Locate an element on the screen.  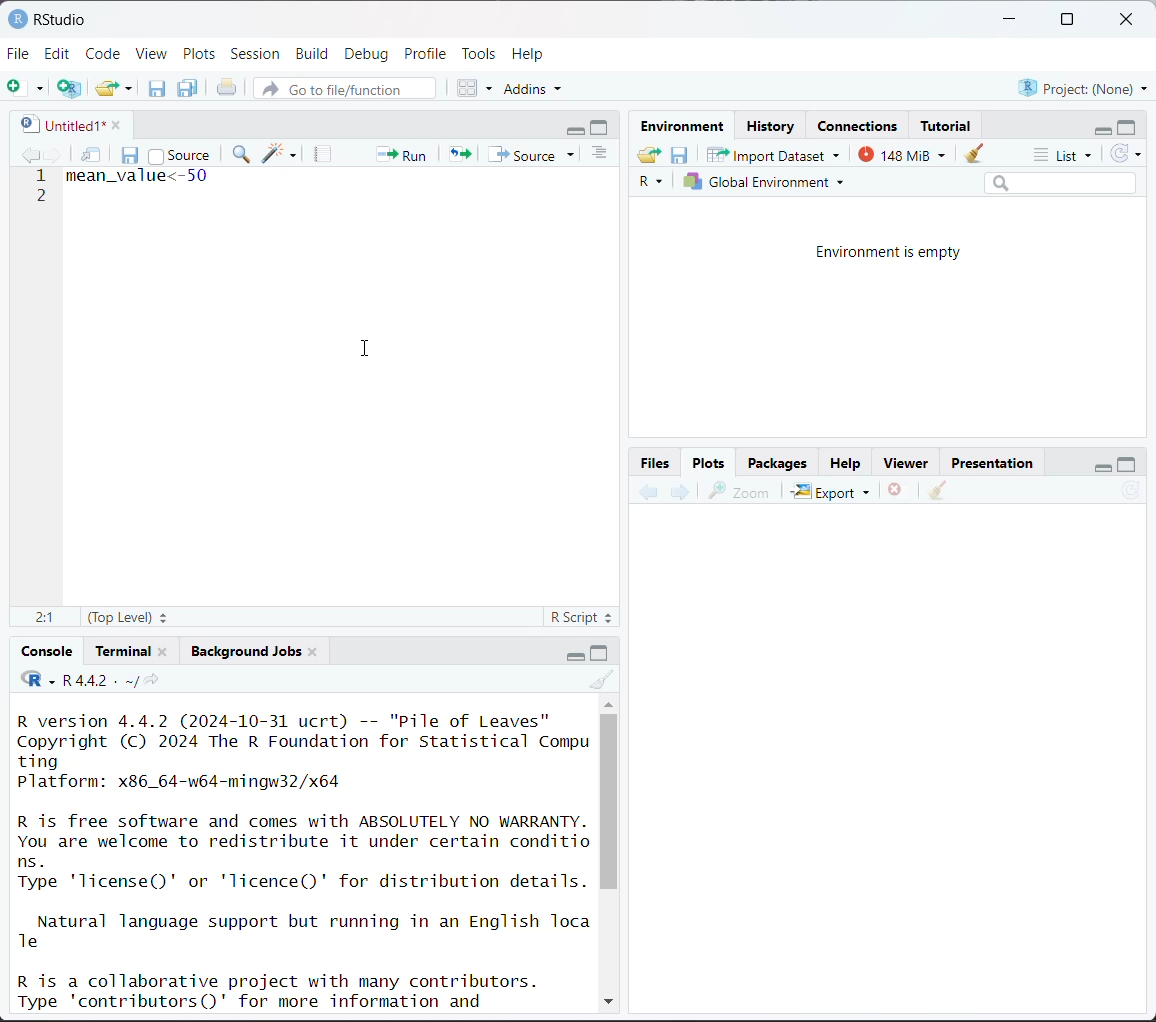
show document outline is located at coordinates (603, 155).